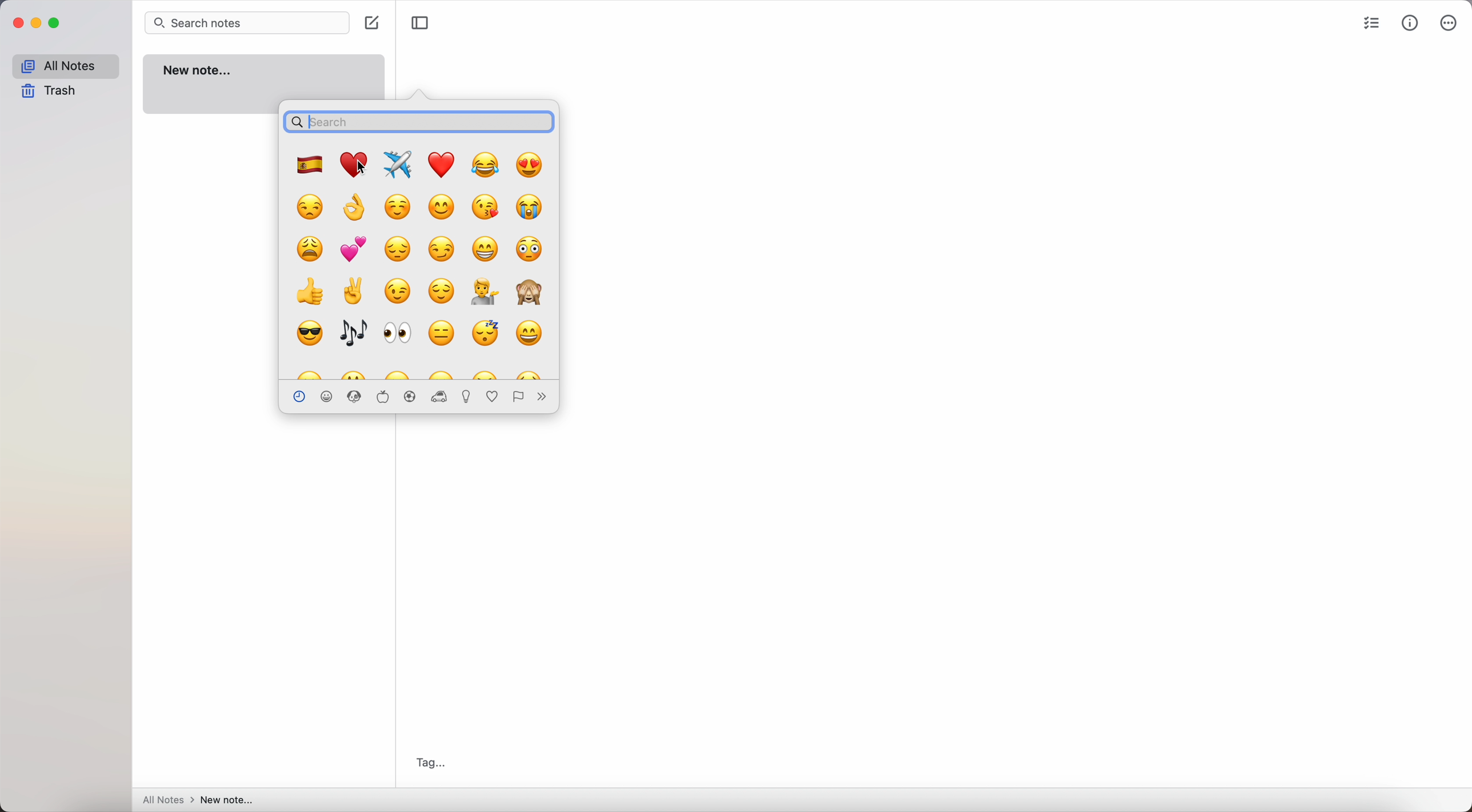 The width and height of the screenshot is (1472, 812). Describe the element at coordinates (314, 248) in the screenshot. I see `emoji` at that location.